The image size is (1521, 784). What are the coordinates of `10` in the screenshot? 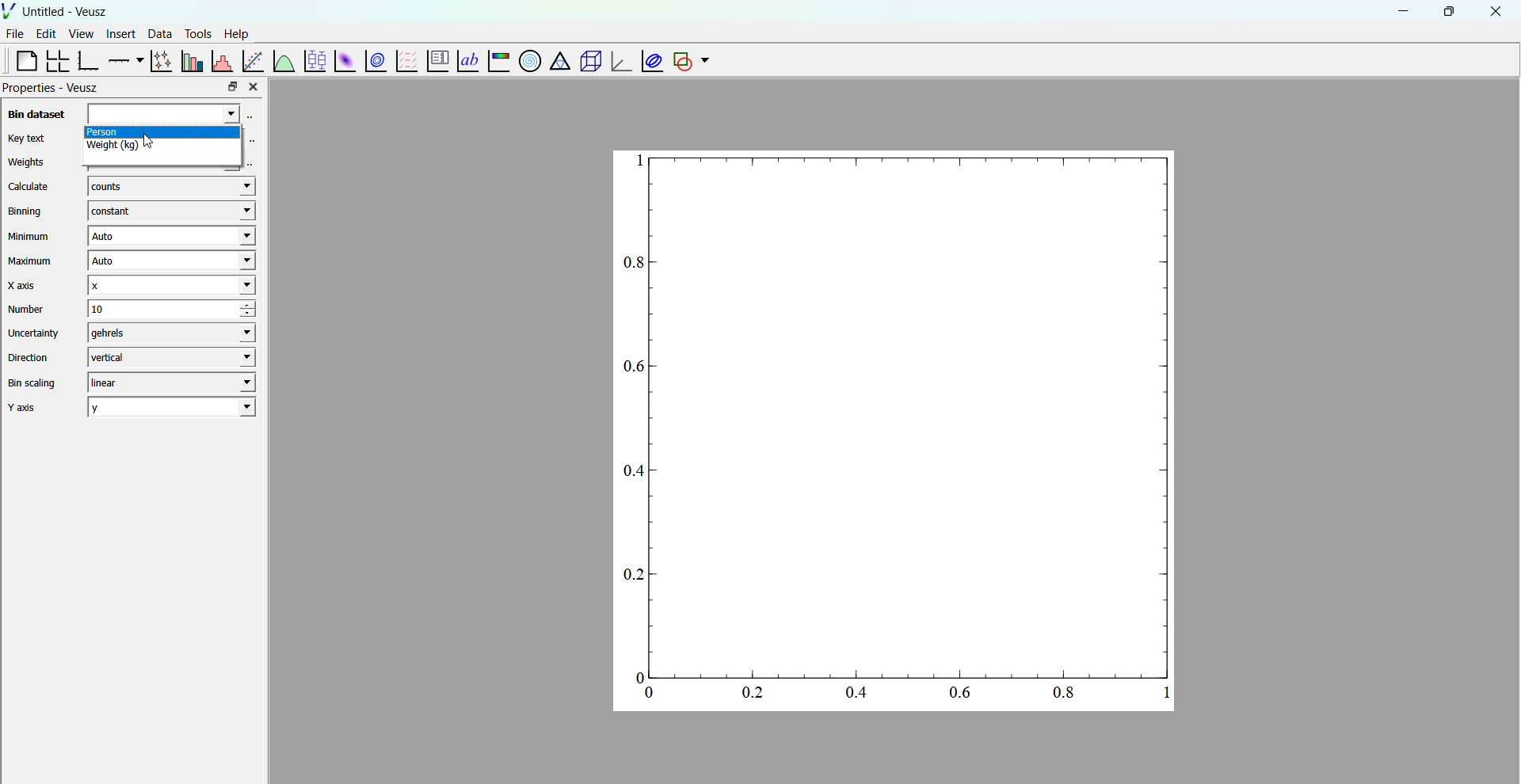 It's located at (150, 309).